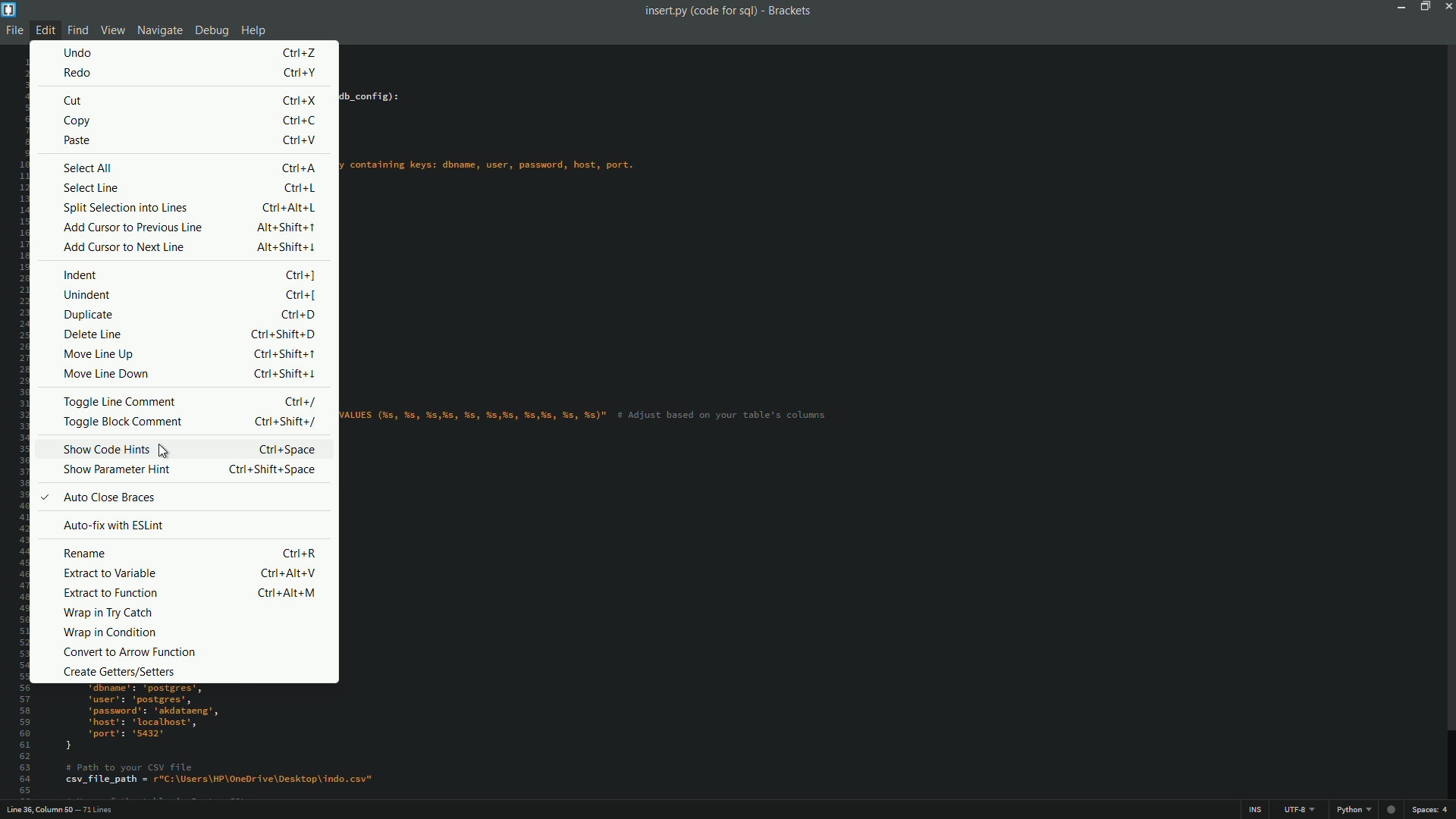 The width and height of the screenshot is (1456, 819). What do you see at coordinates (299, 101) in the screenshot?
I see `keyboard shortcut` at bounding box center [299, 101].